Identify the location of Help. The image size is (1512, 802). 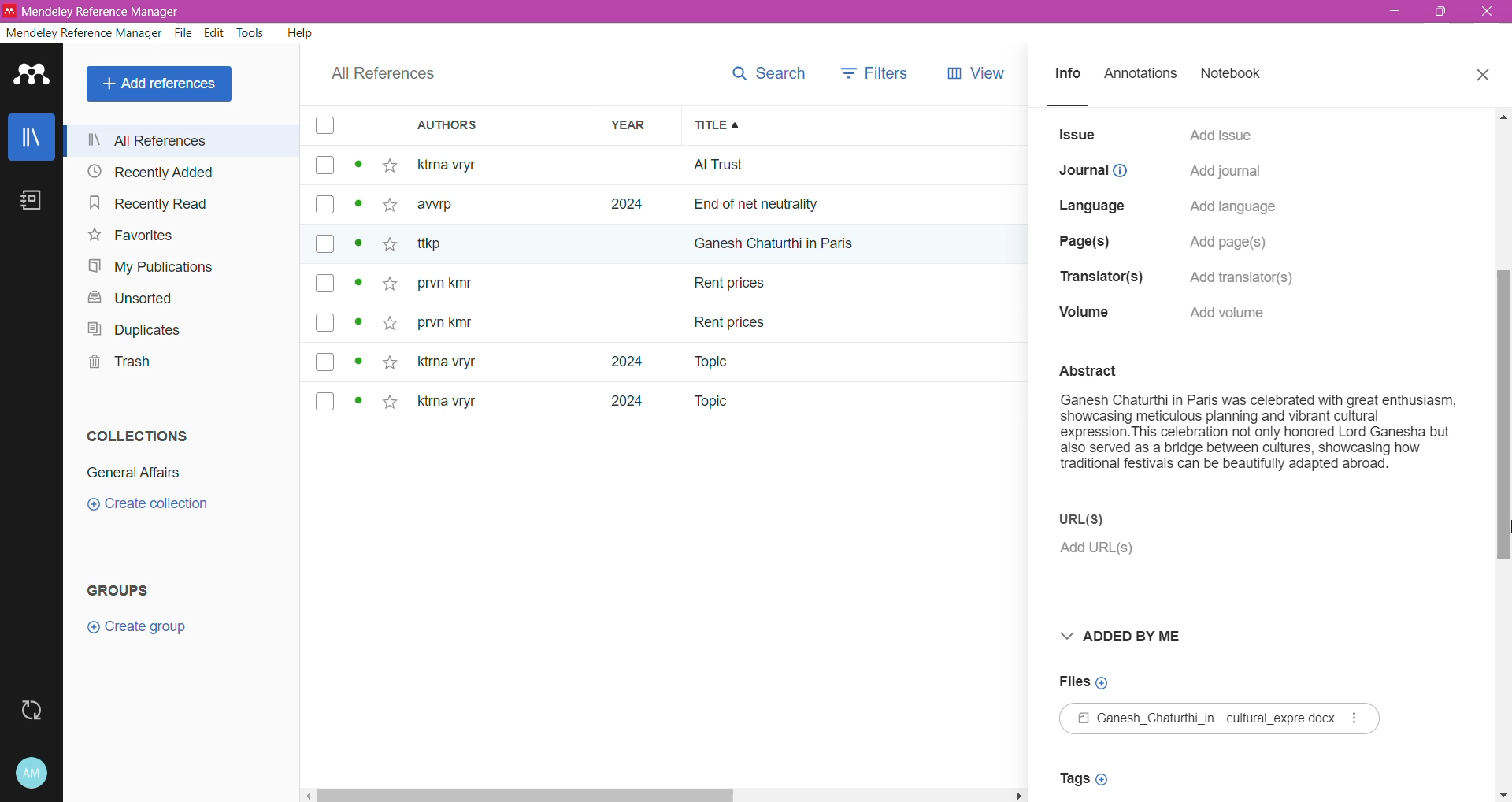
(298, 35).